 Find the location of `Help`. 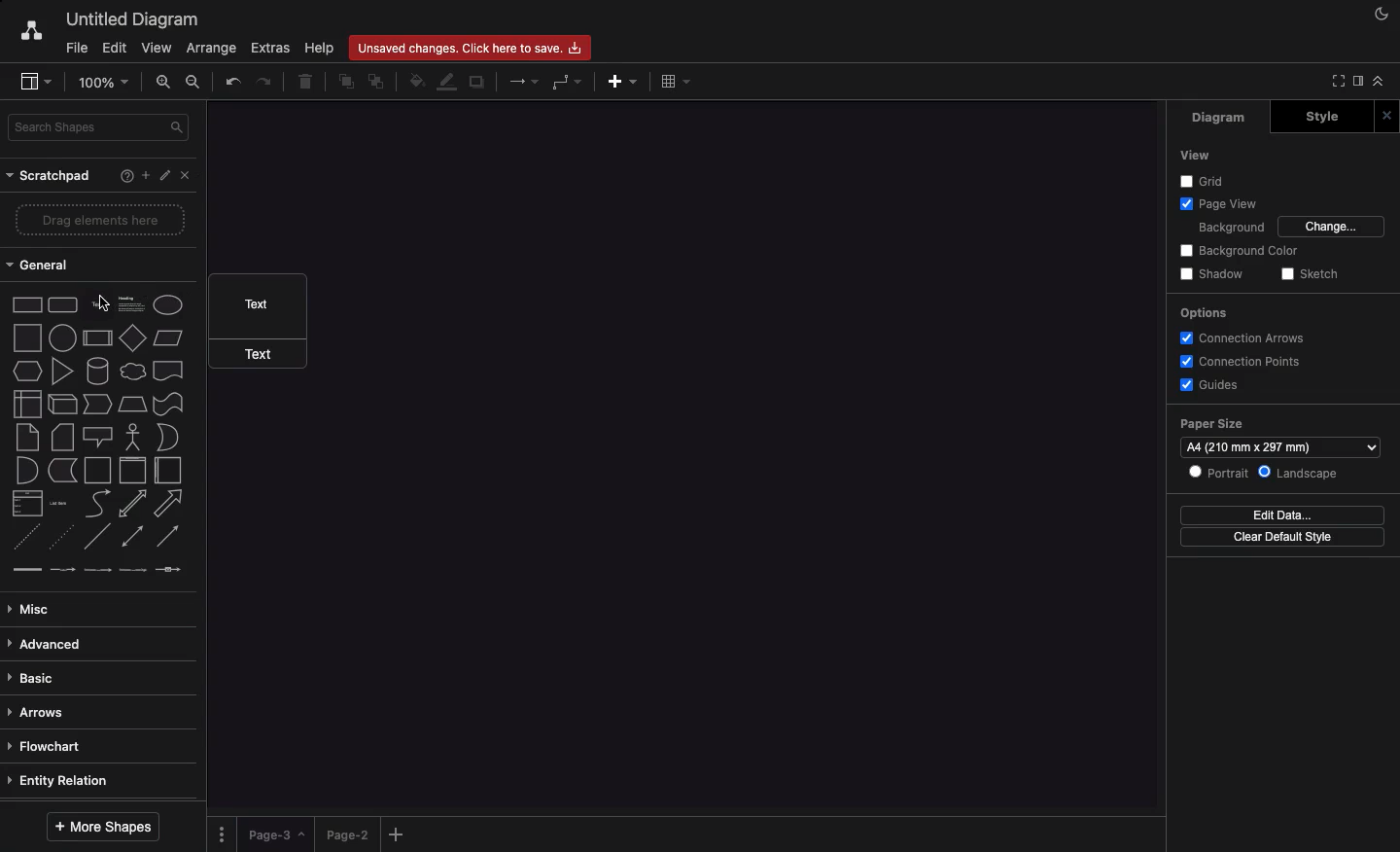

Help is located at coordinates (122, 178).